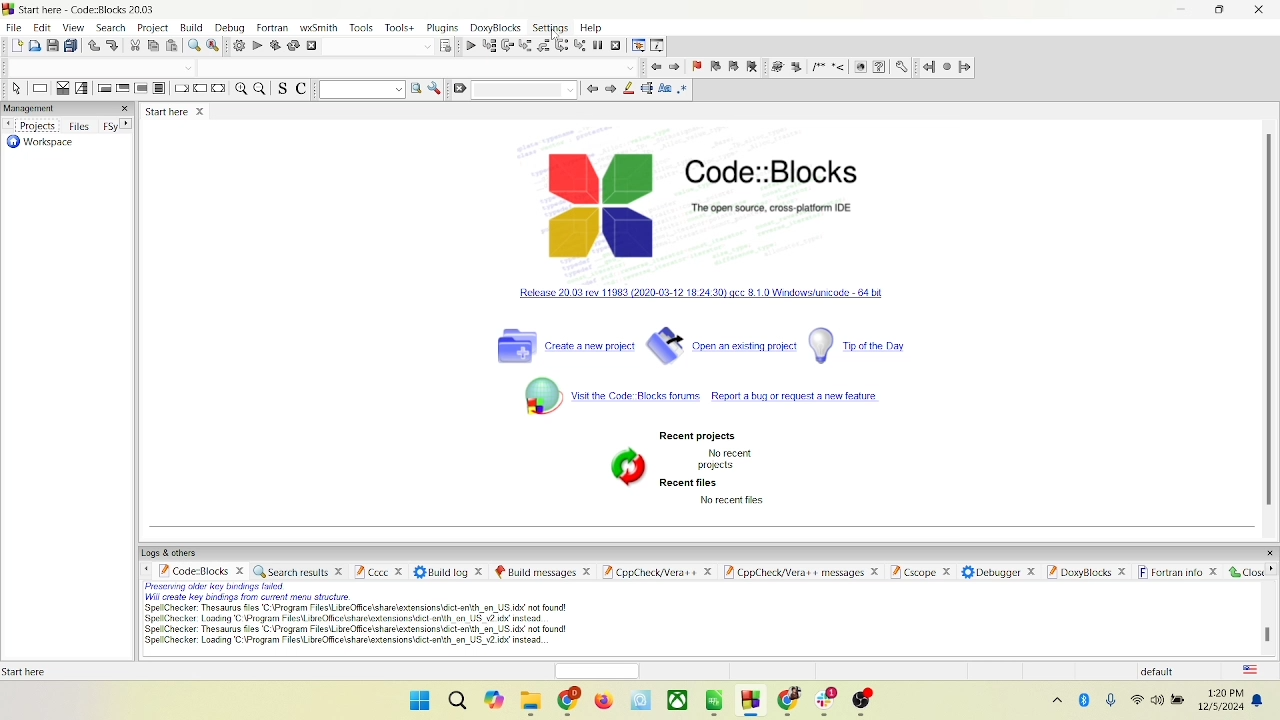 The image size is (1280, 720). I want to click on symbols, so click(805, 65).